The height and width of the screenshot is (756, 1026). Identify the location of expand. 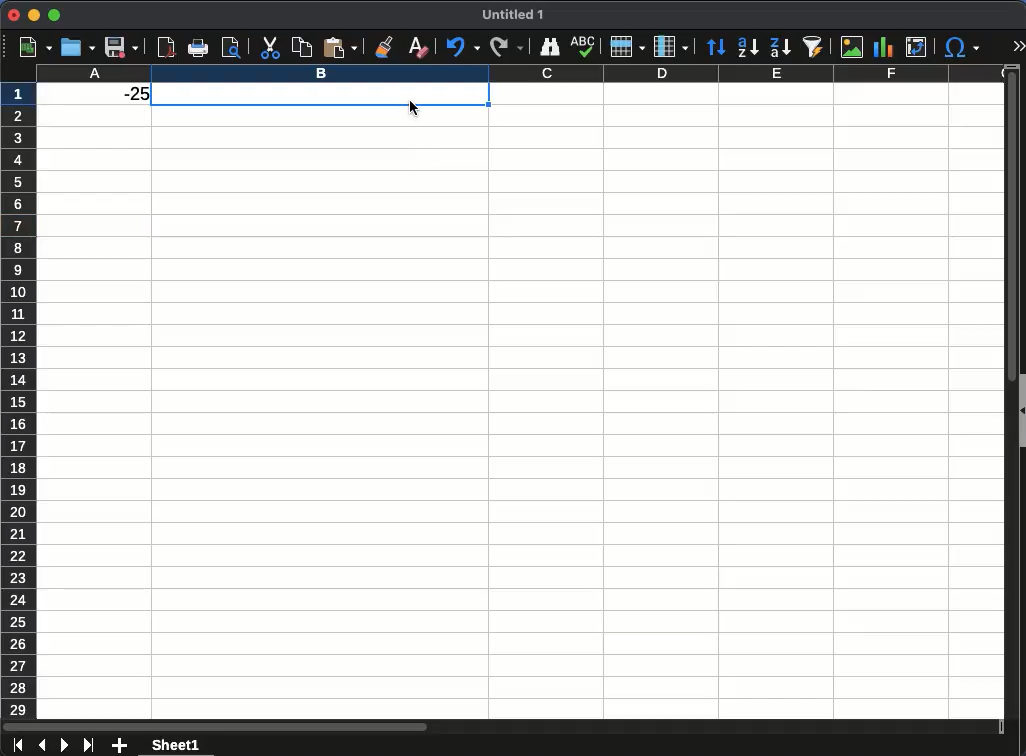
(1018, 45).